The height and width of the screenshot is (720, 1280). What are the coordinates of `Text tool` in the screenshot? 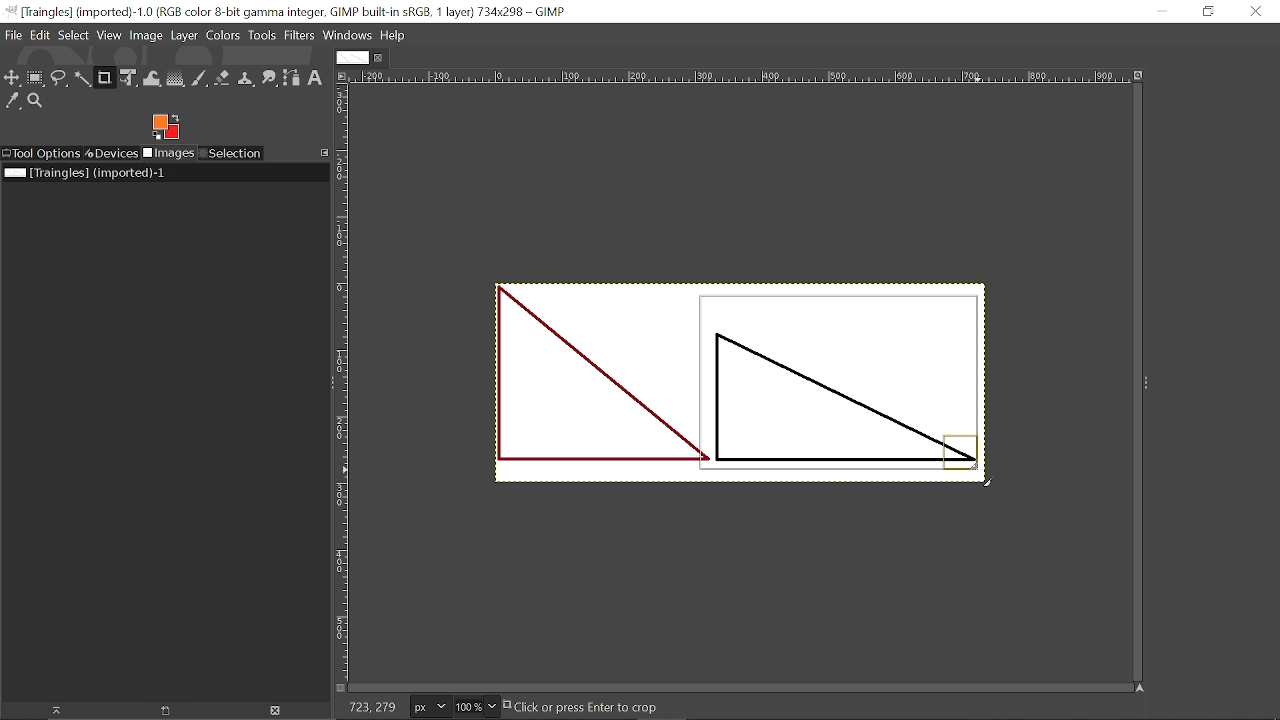 It's located at (315, 79).